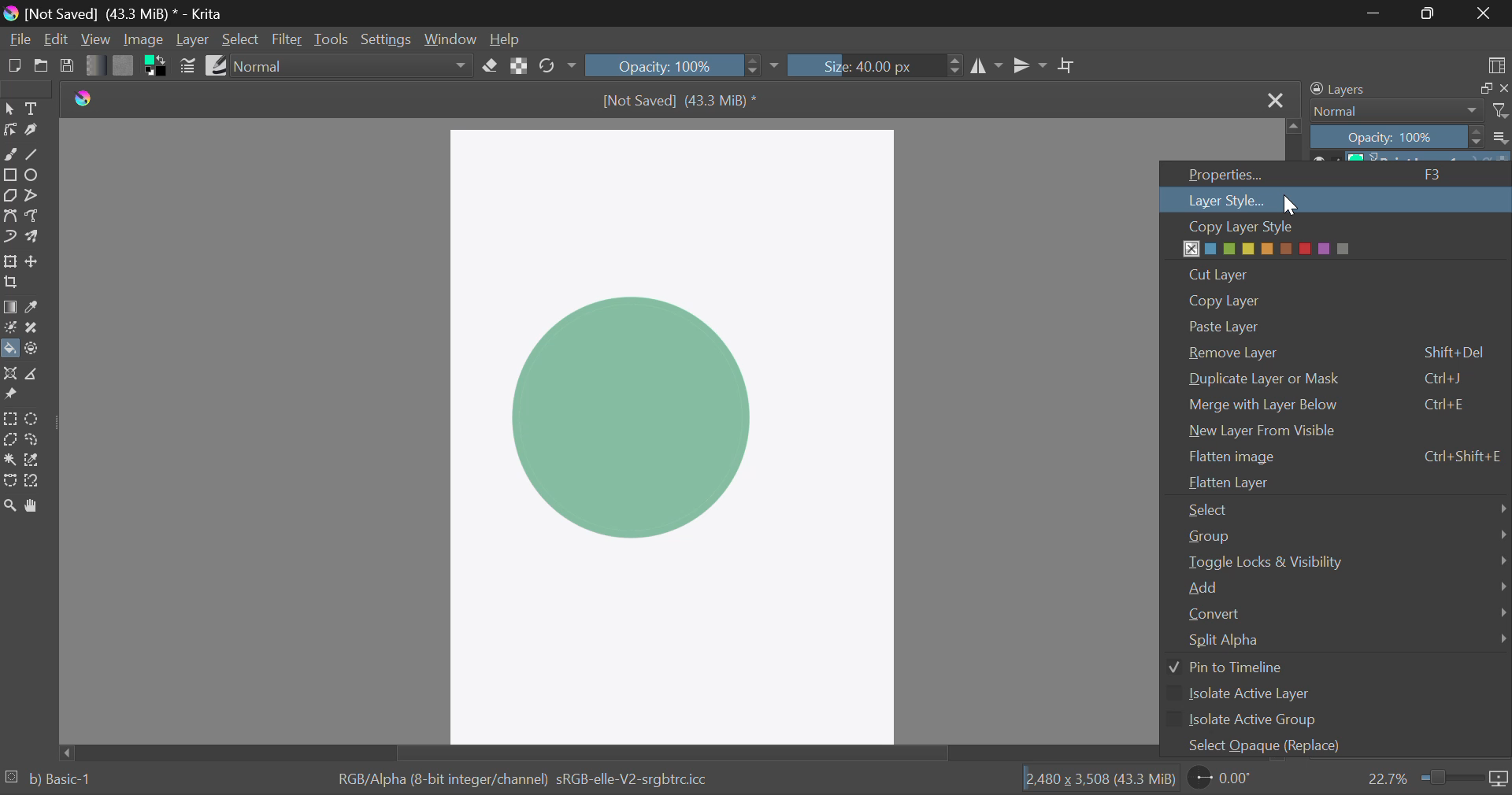 This screenshot has height=795, width=1512. I want to click on Tools, so click(332, 39).